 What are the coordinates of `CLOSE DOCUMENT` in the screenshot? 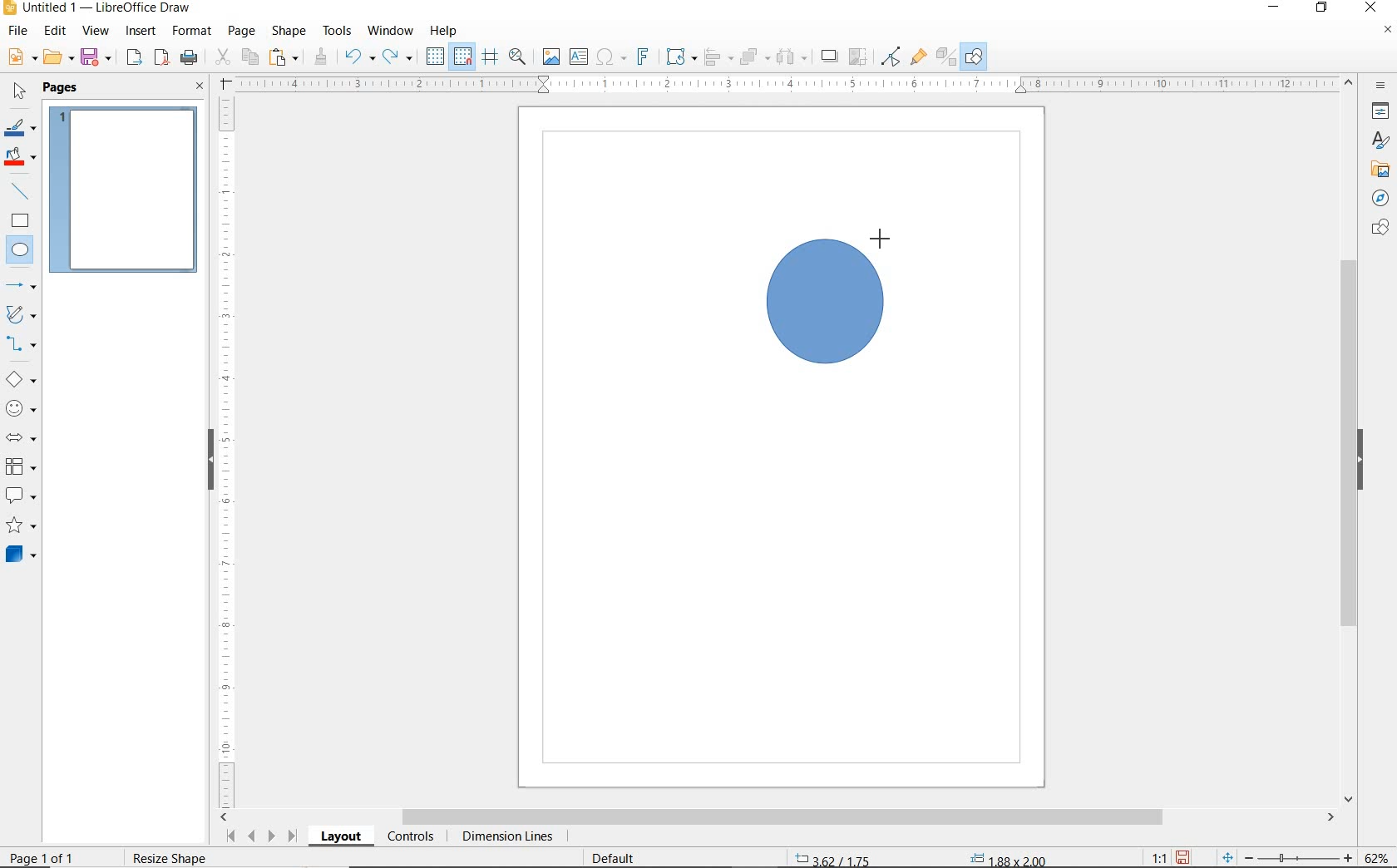 It's located at (1387, 32).